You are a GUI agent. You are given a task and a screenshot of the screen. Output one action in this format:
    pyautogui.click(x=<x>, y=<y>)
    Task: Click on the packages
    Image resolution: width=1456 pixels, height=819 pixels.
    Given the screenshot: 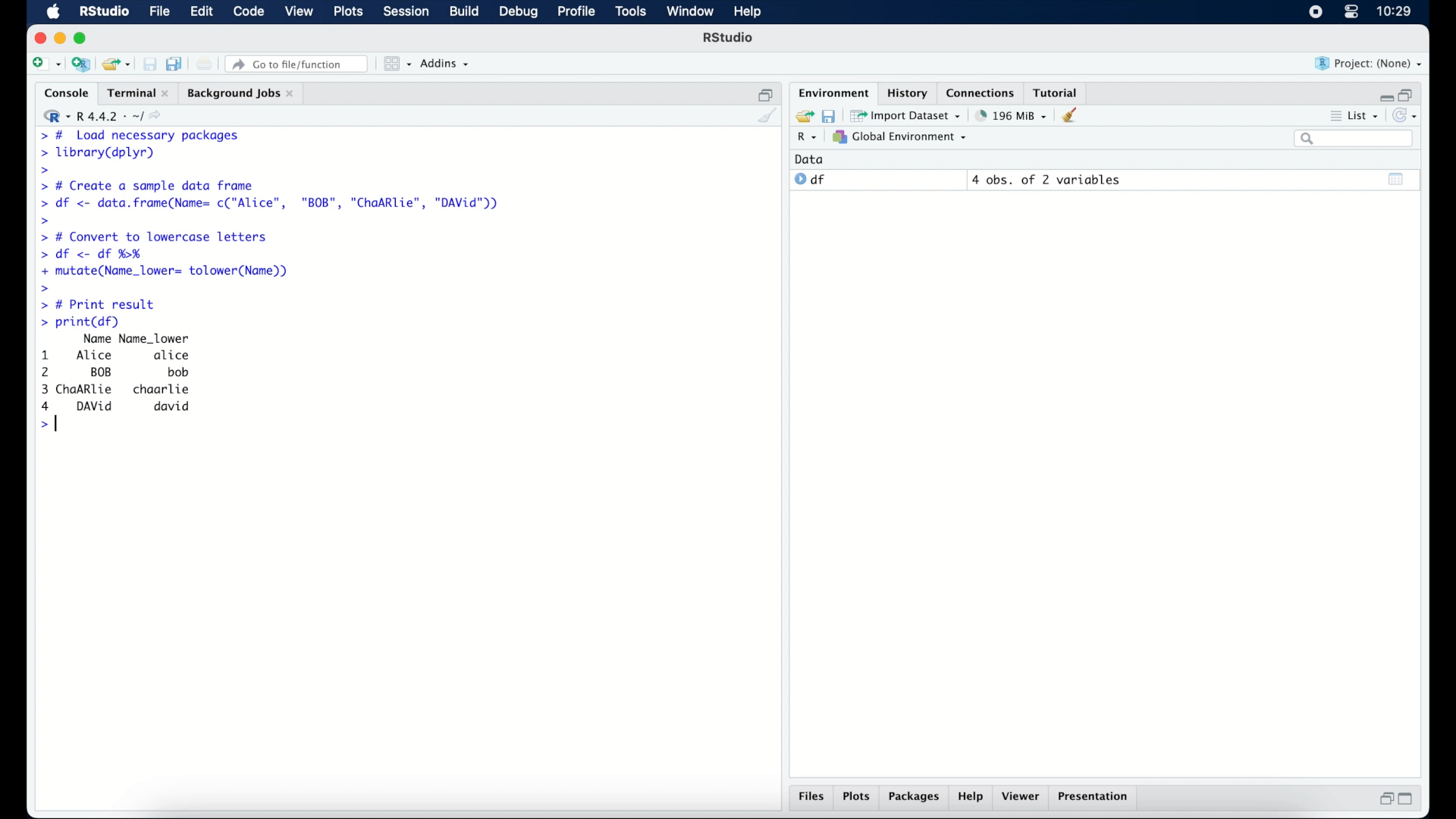 What is the action you would take?
    pyautogui.click(x=915, y=799)
    